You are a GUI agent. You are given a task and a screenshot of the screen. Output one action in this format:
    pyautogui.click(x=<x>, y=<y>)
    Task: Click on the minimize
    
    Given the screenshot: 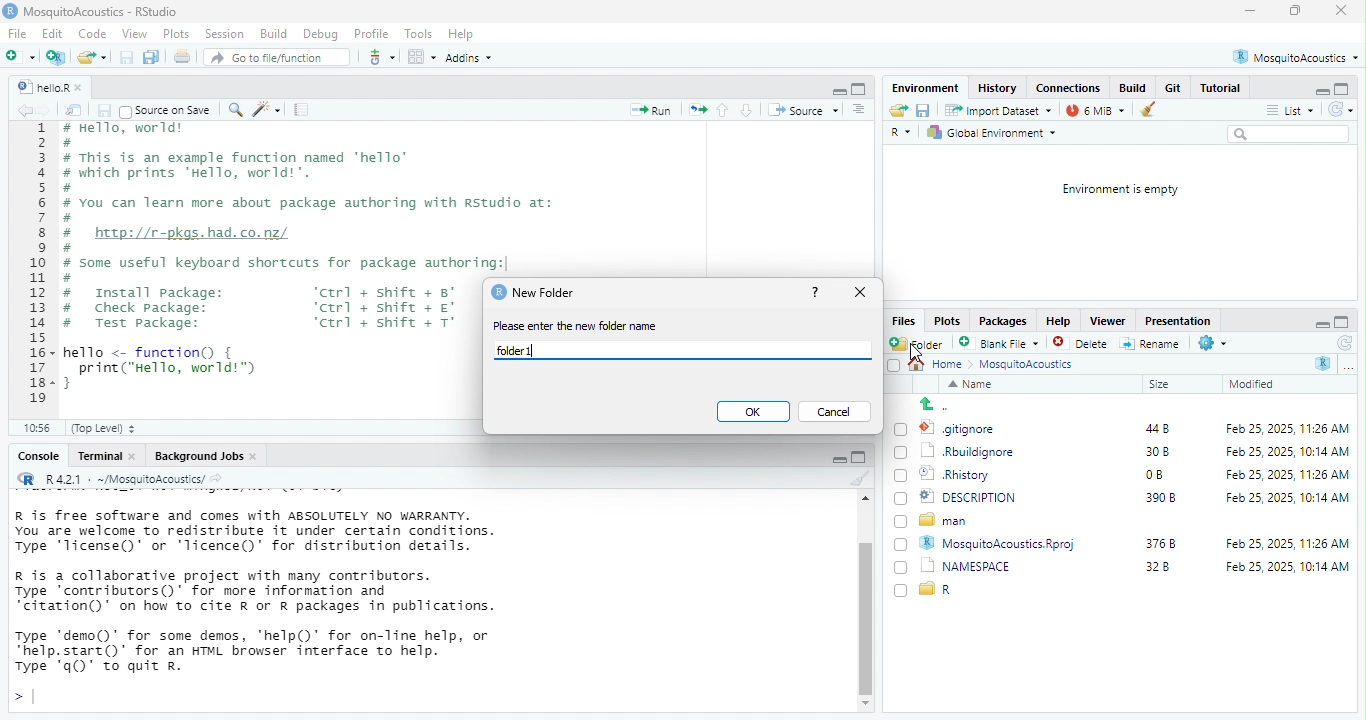 What is the action you would take?
    pyautogui.click(x=1250, y=12)
    